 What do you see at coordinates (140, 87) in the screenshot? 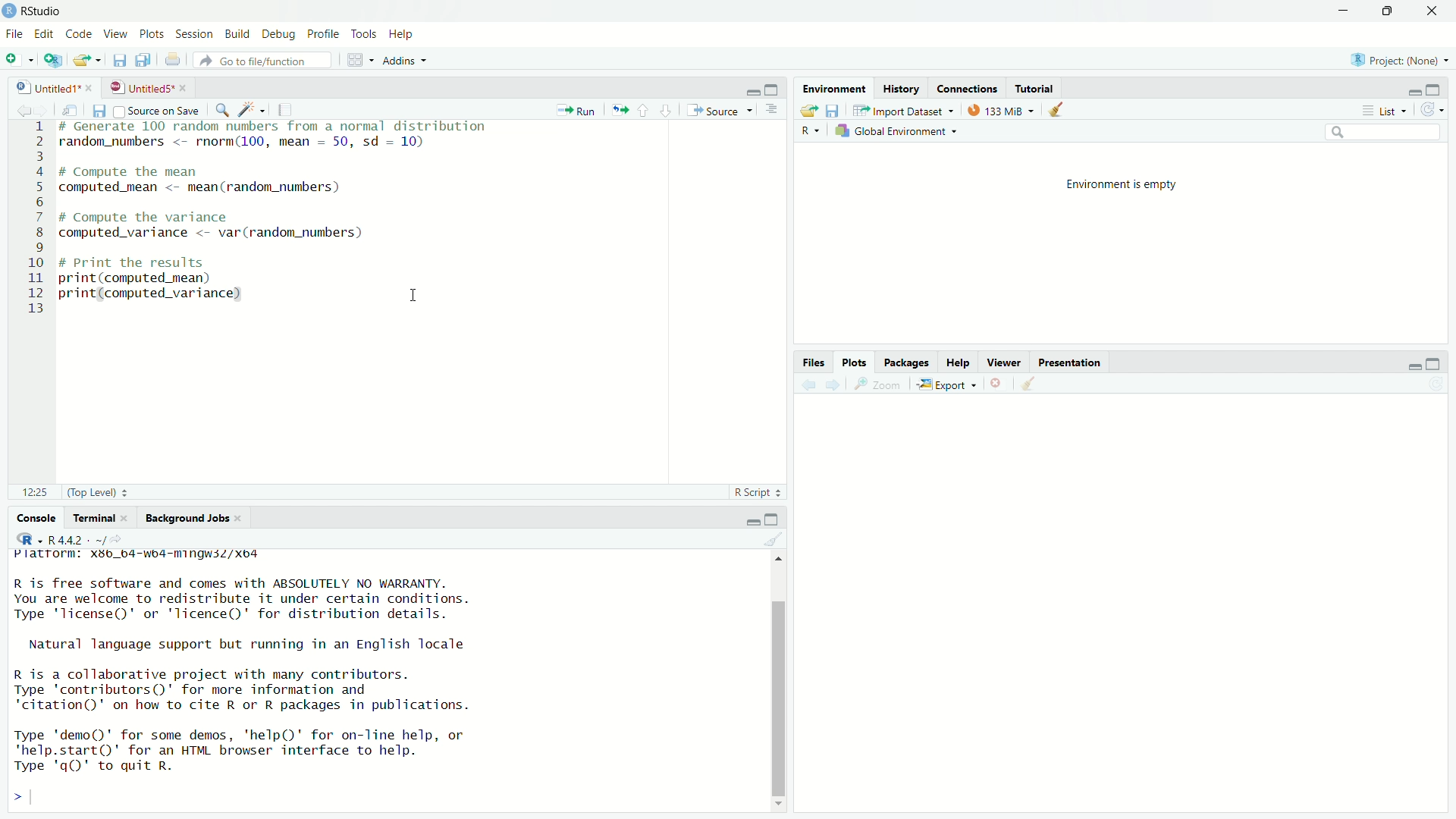
I see `untitled5` at bounding box center [140, 87].